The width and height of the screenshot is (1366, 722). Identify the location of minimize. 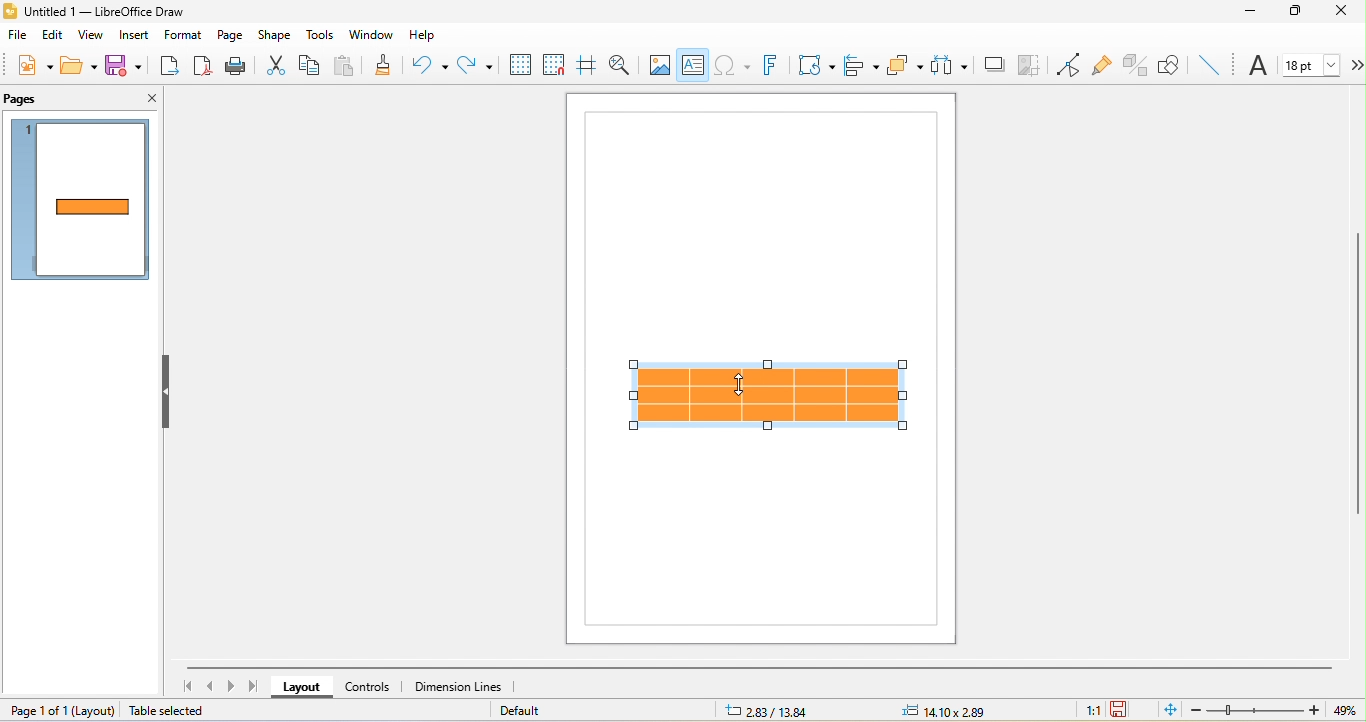
(1253, 14).